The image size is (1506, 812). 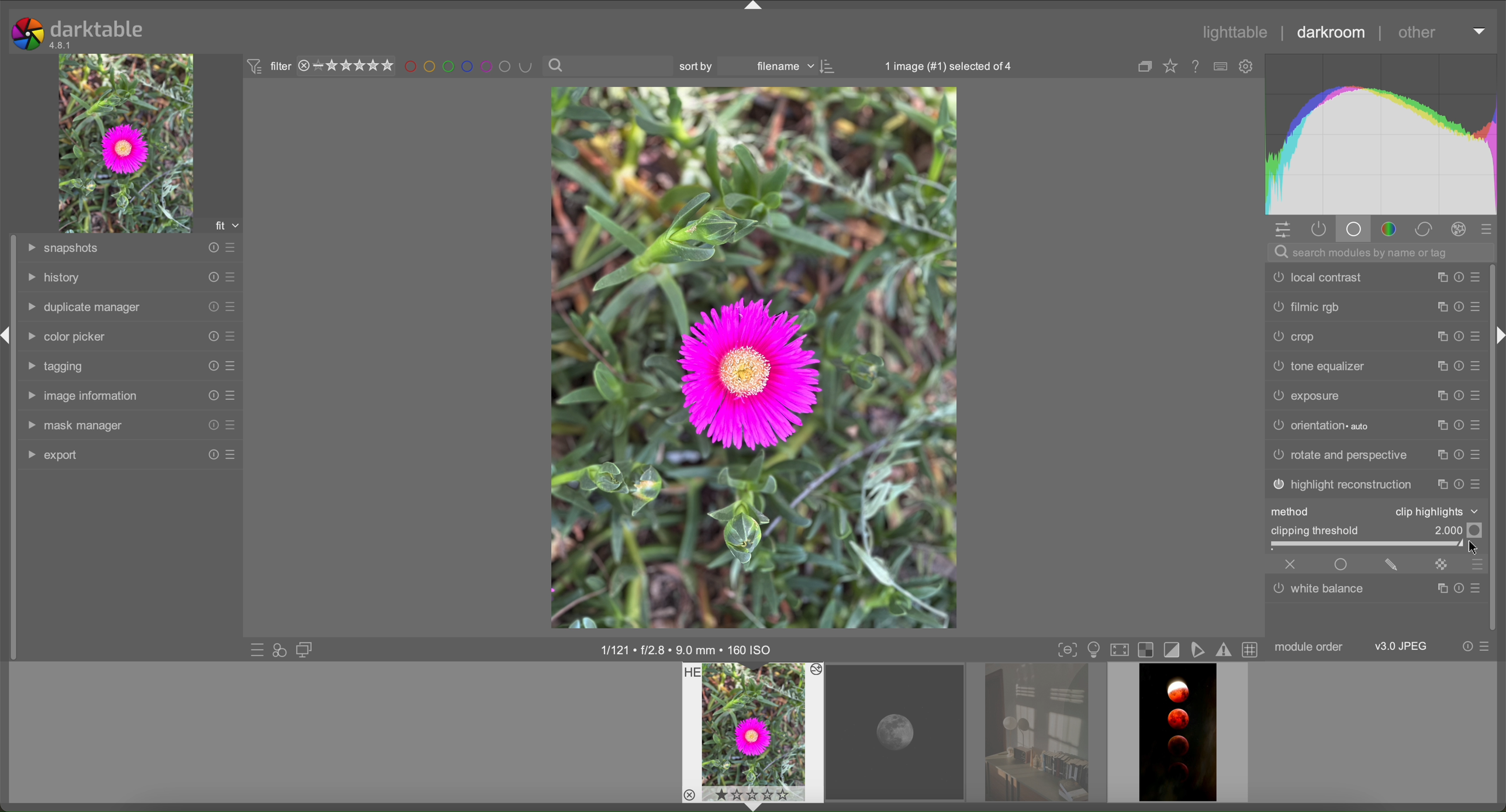 I want to click on copy, so click(x=1439, y=424).